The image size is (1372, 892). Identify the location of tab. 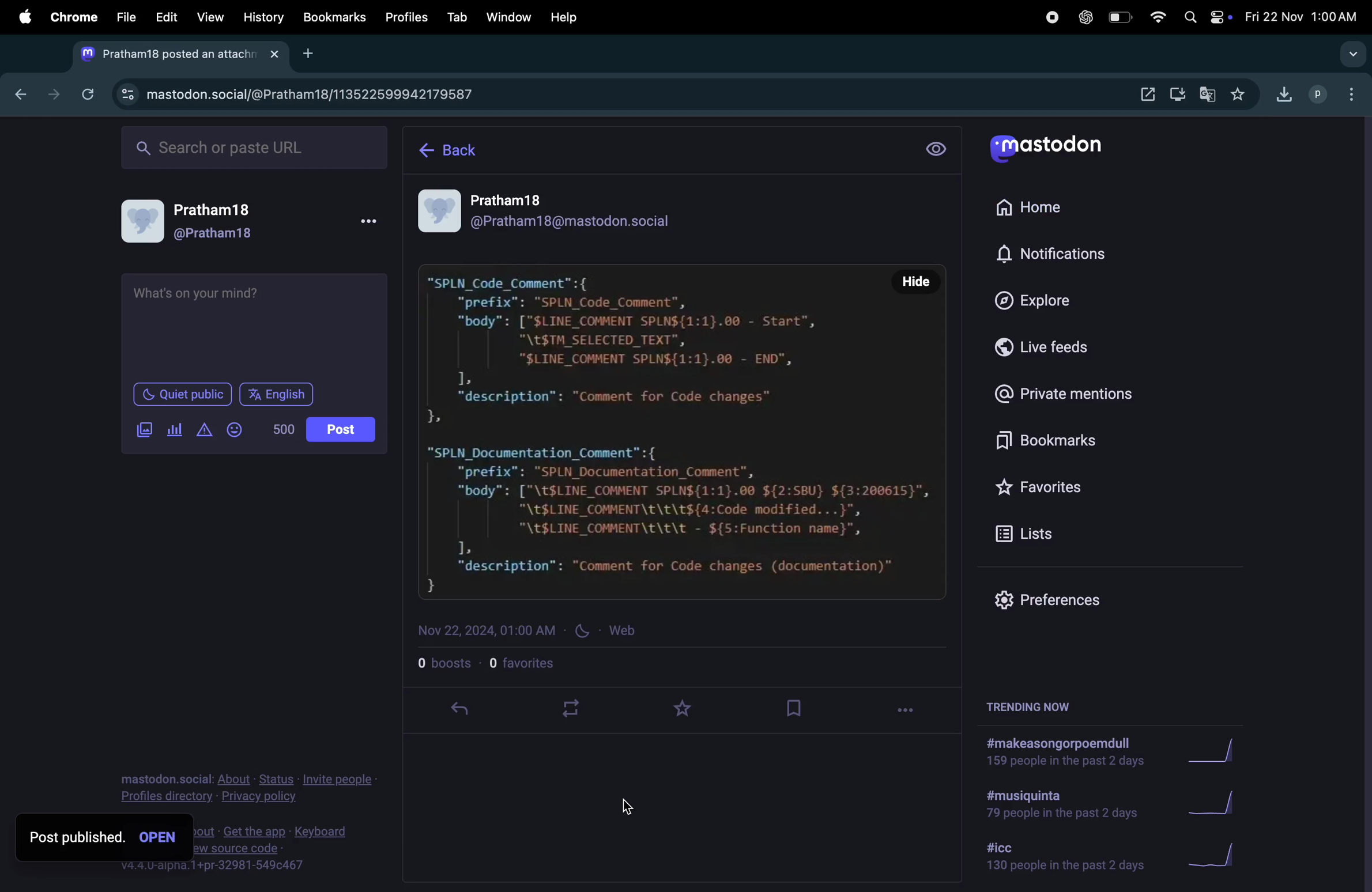
(455, 17).